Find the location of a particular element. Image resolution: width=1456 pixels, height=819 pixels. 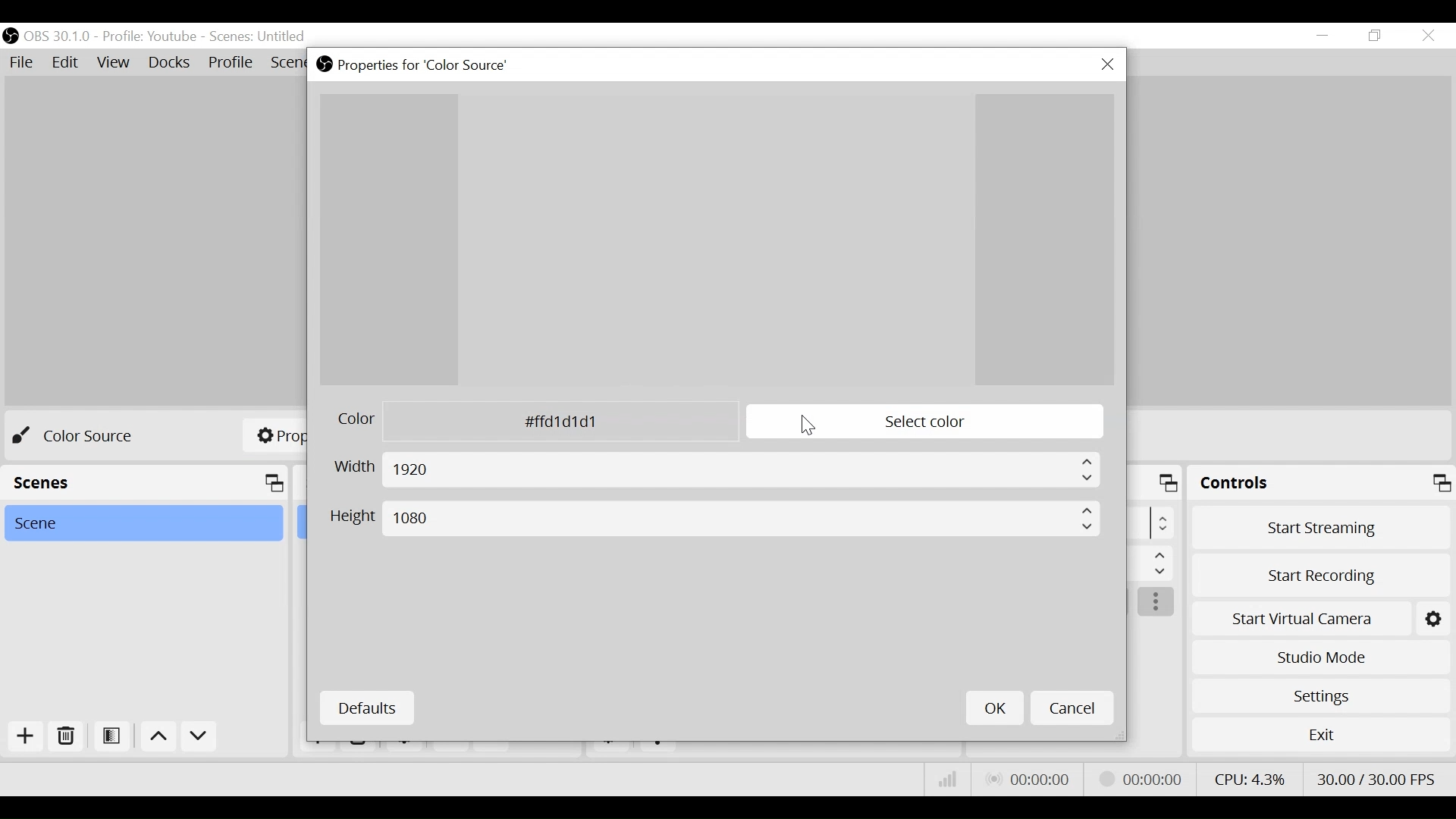

move down is located at coordinates (201, 737).